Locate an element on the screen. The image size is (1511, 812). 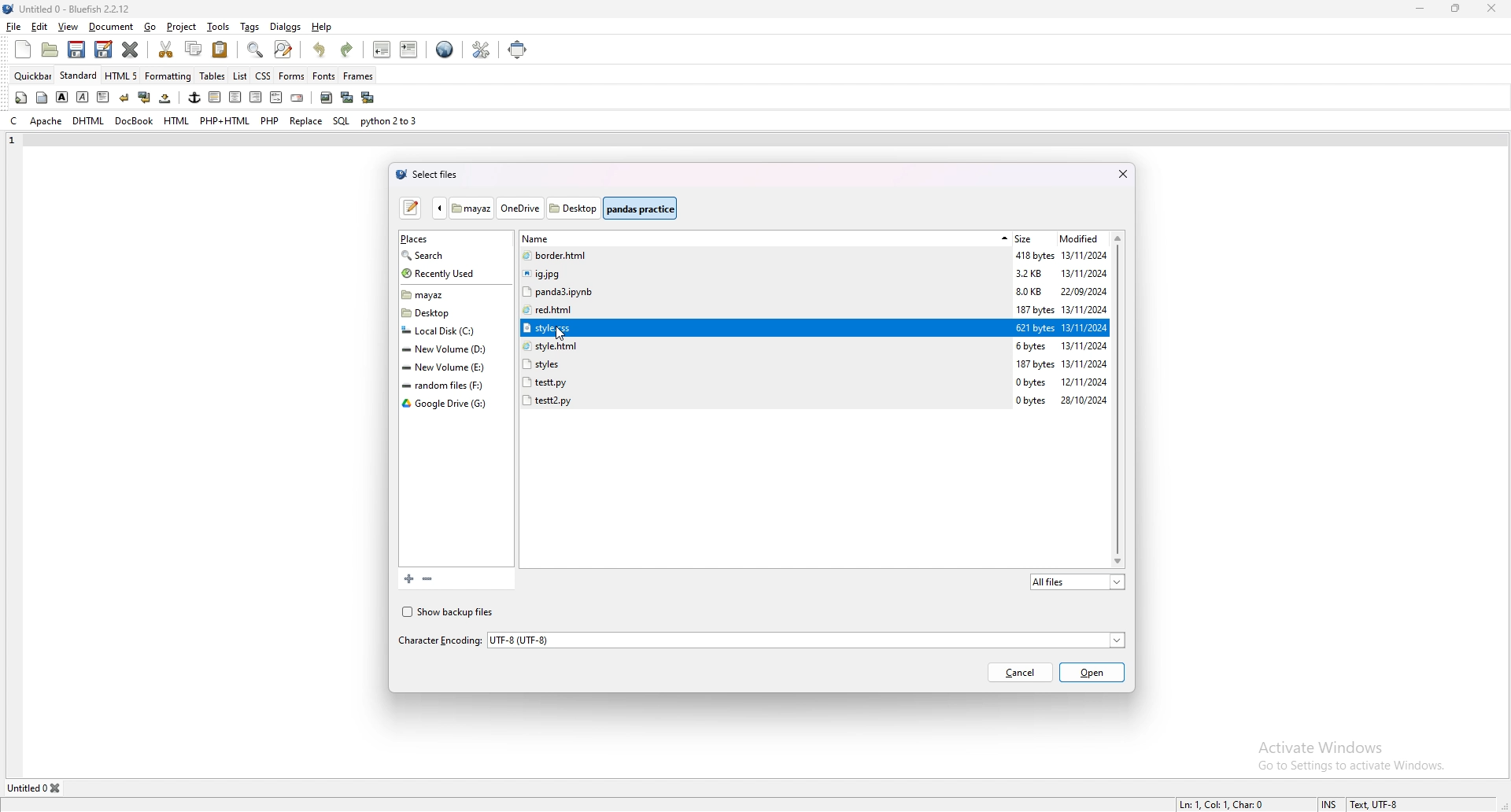
indent is located at coordinates (410, 49).